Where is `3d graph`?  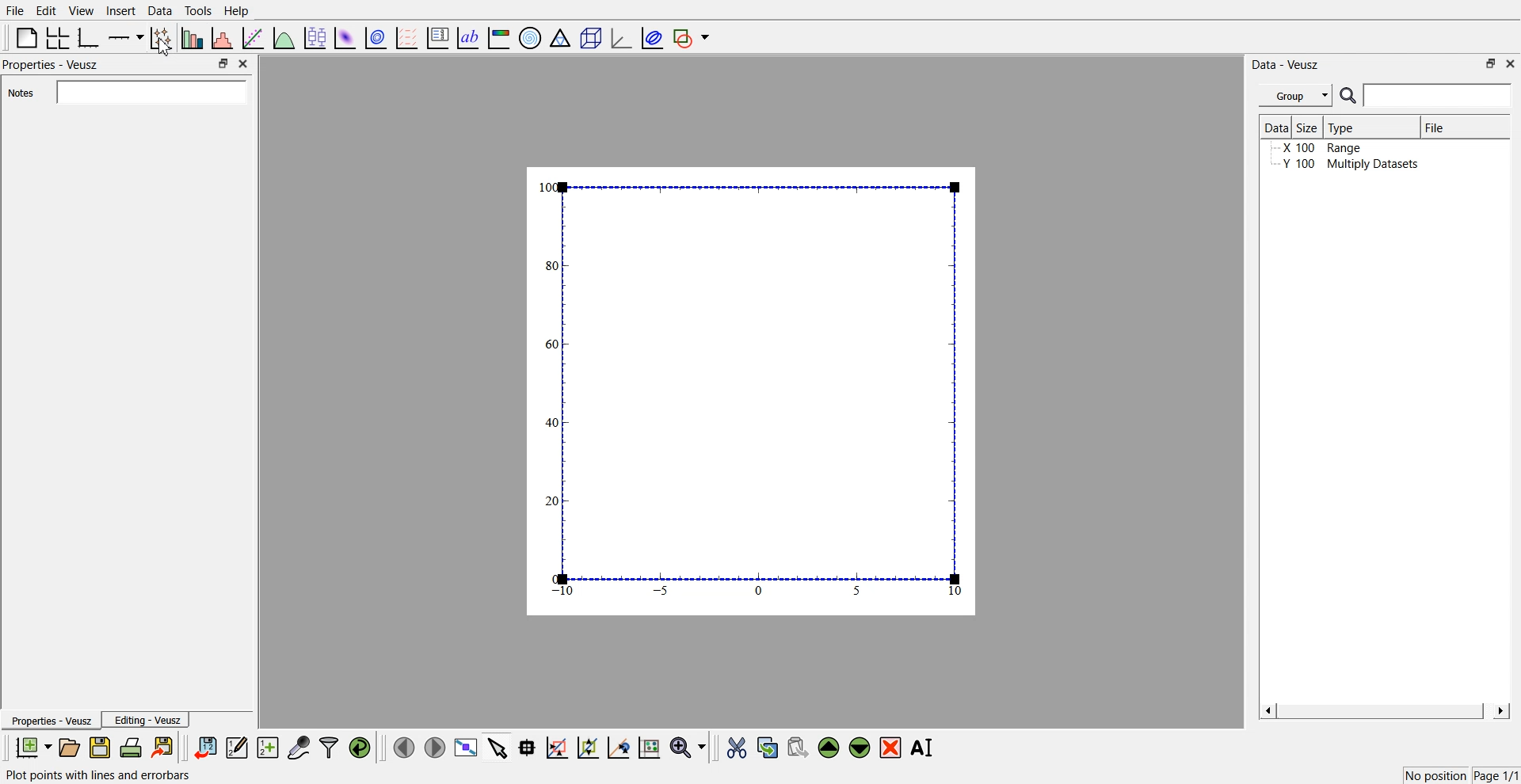 3d graph is located at coordinates (620, 39).